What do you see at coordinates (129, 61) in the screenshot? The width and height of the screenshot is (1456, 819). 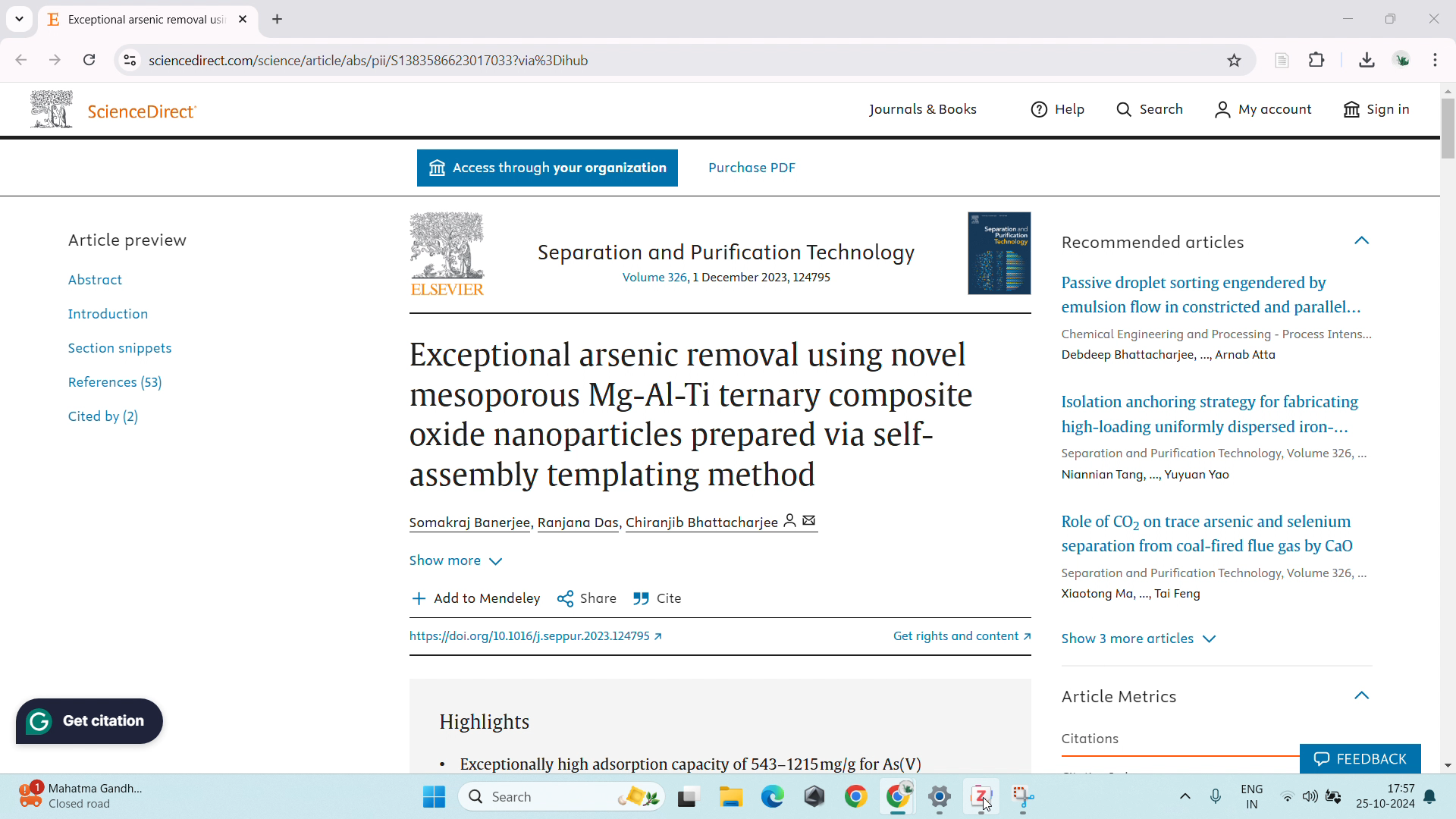 I see `view site information` at bounding box center [129, 61].